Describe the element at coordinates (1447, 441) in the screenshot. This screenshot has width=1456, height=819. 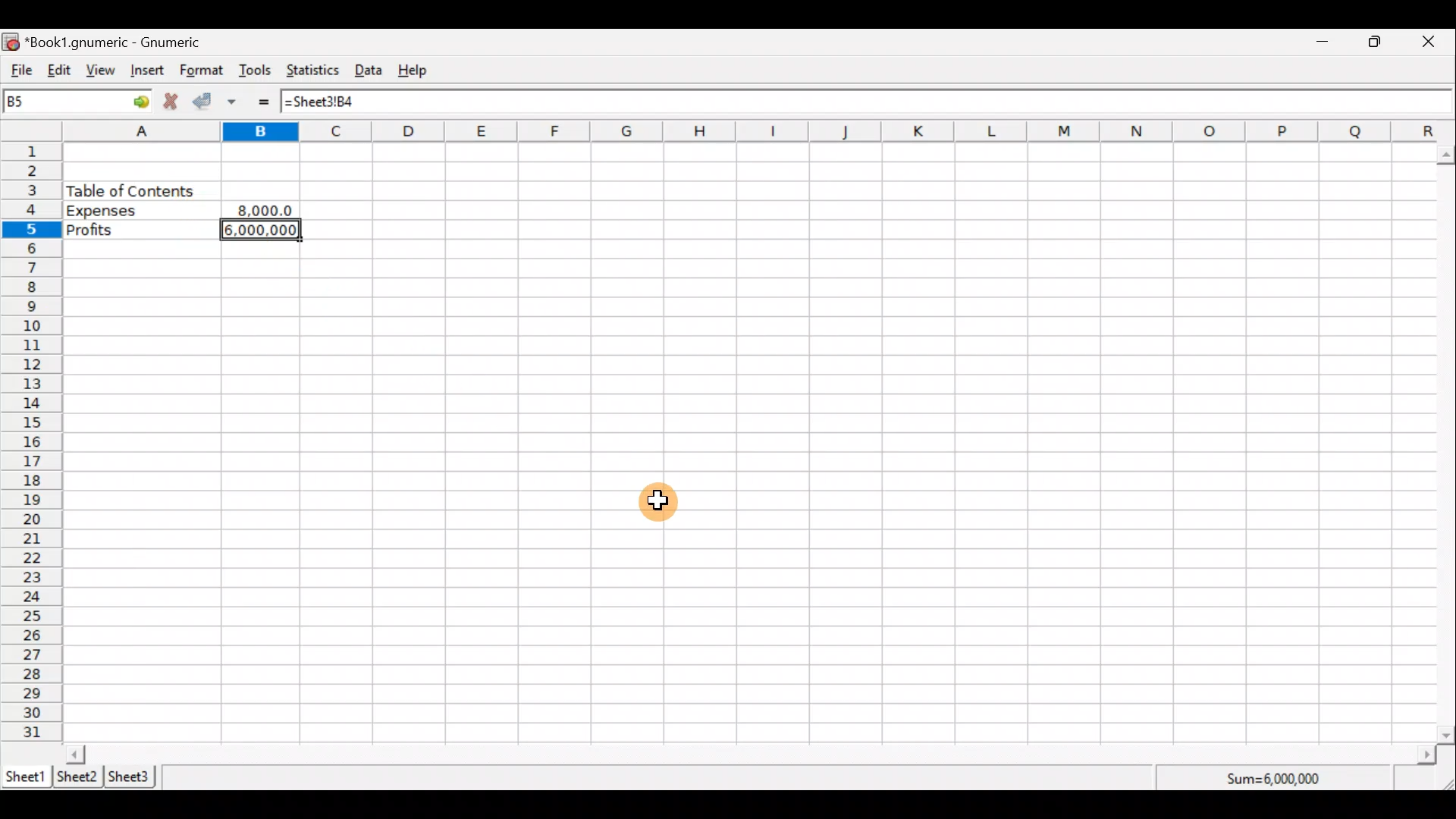
I see `Scroll bar` at that location.